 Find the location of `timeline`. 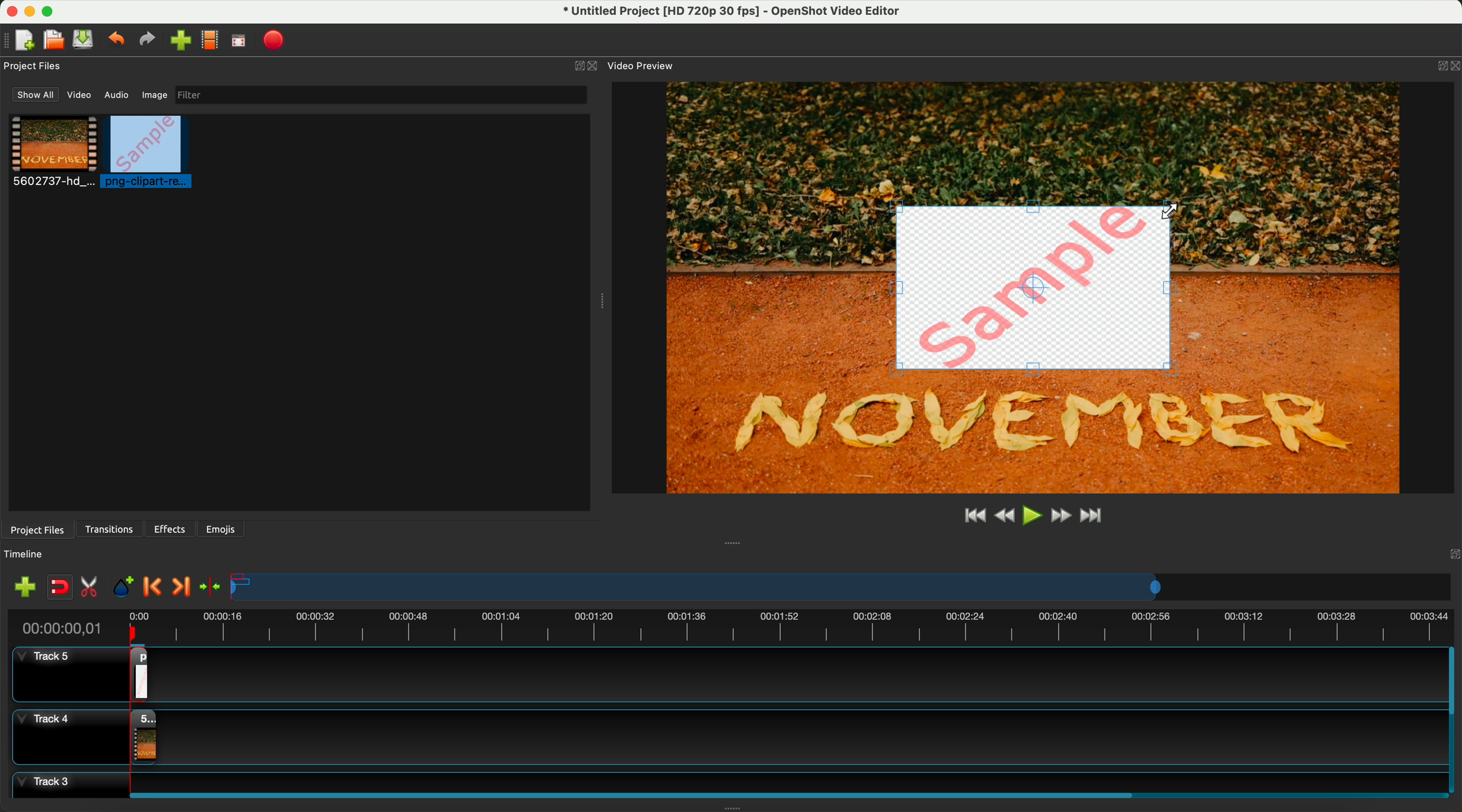

timeline is located at coordinates (30, 554).